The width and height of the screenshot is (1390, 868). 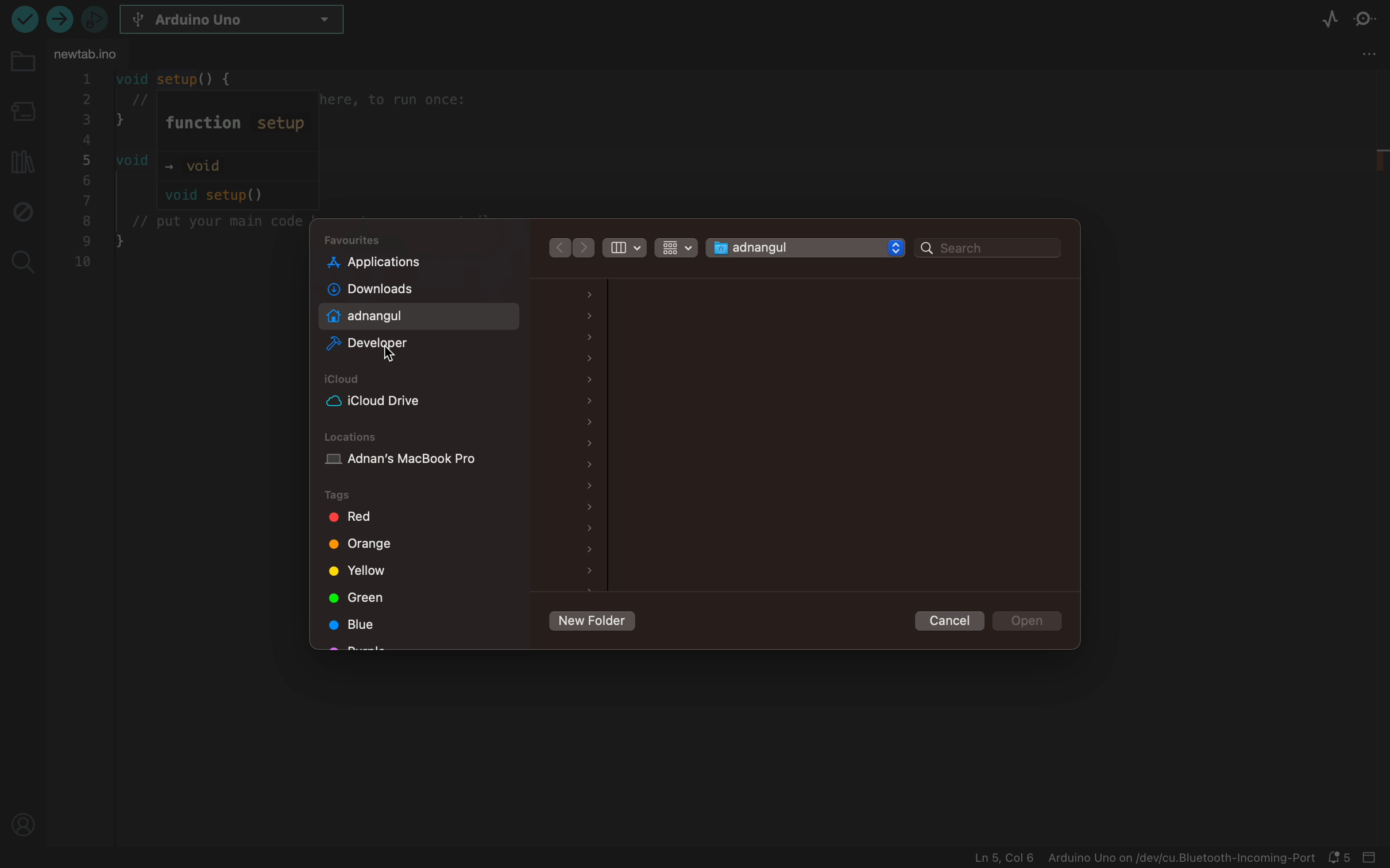 I want to click on row filter, so click(x=674, y=246).